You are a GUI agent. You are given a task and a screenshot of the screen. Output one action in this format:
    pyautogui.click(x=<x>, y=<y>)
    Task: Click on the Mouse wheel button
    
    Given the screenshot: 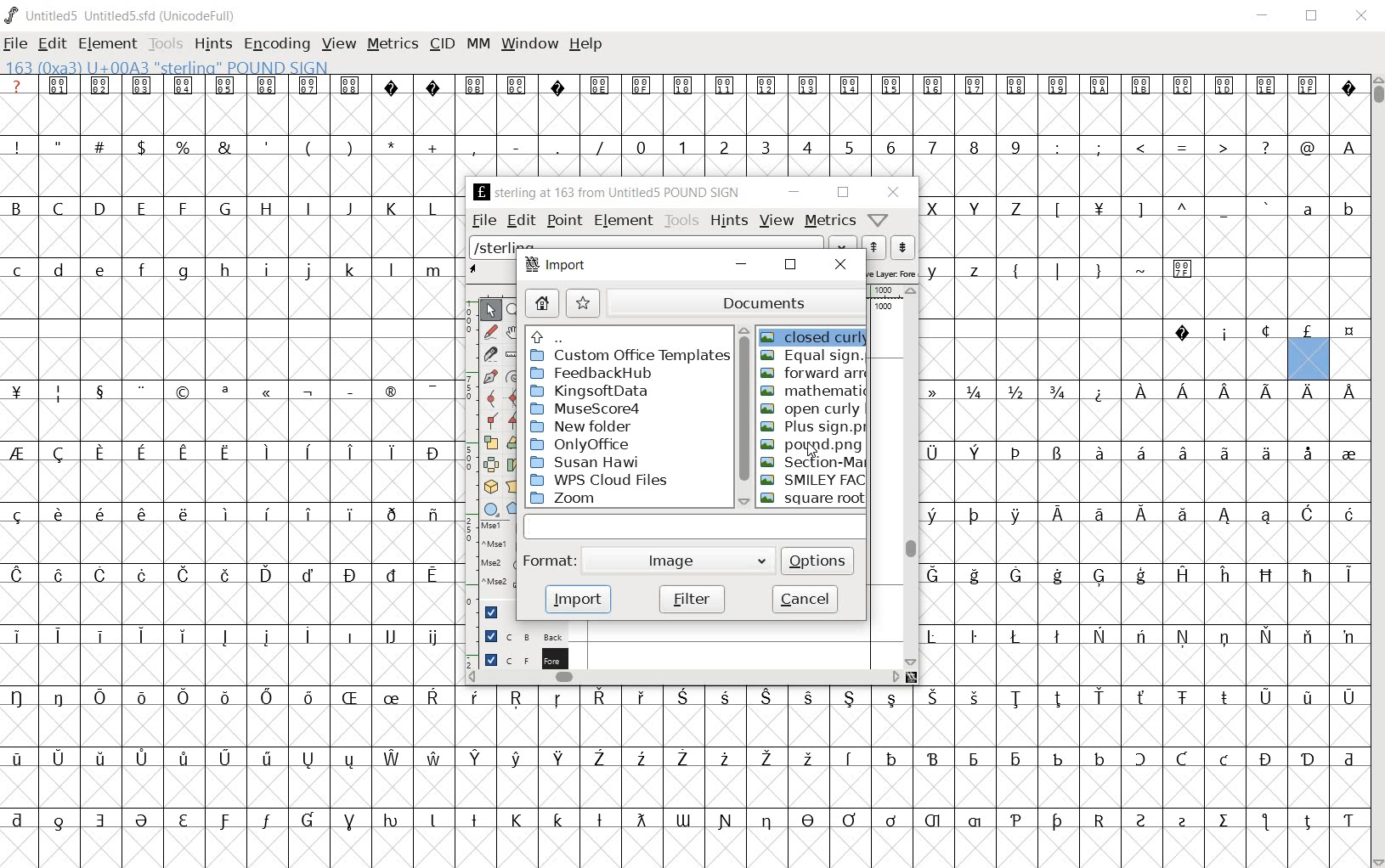 What is the action you would take?
    pyautogui.click(x=497, y=566)
    